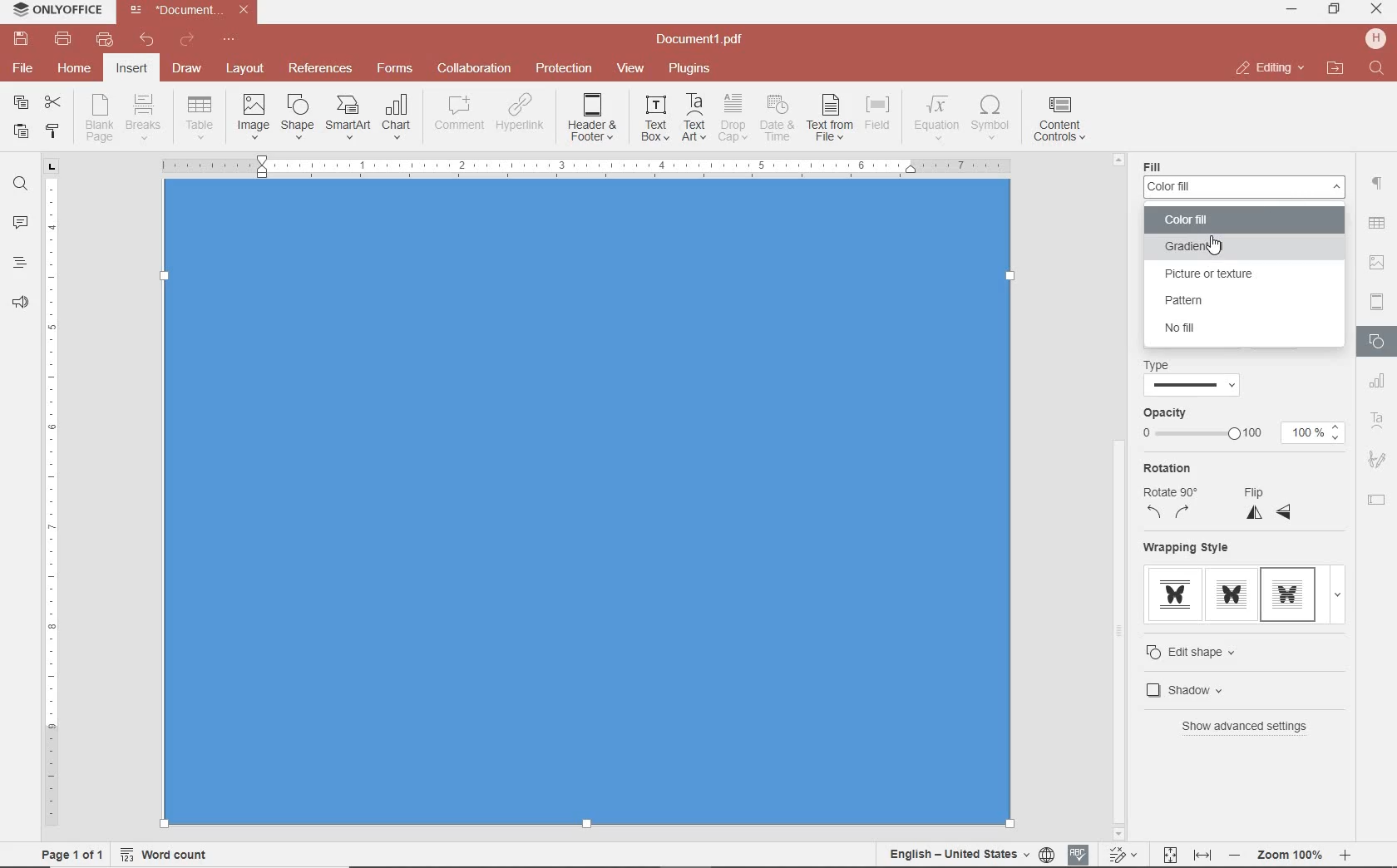  I want to click on cursor, so click(1234, 690).